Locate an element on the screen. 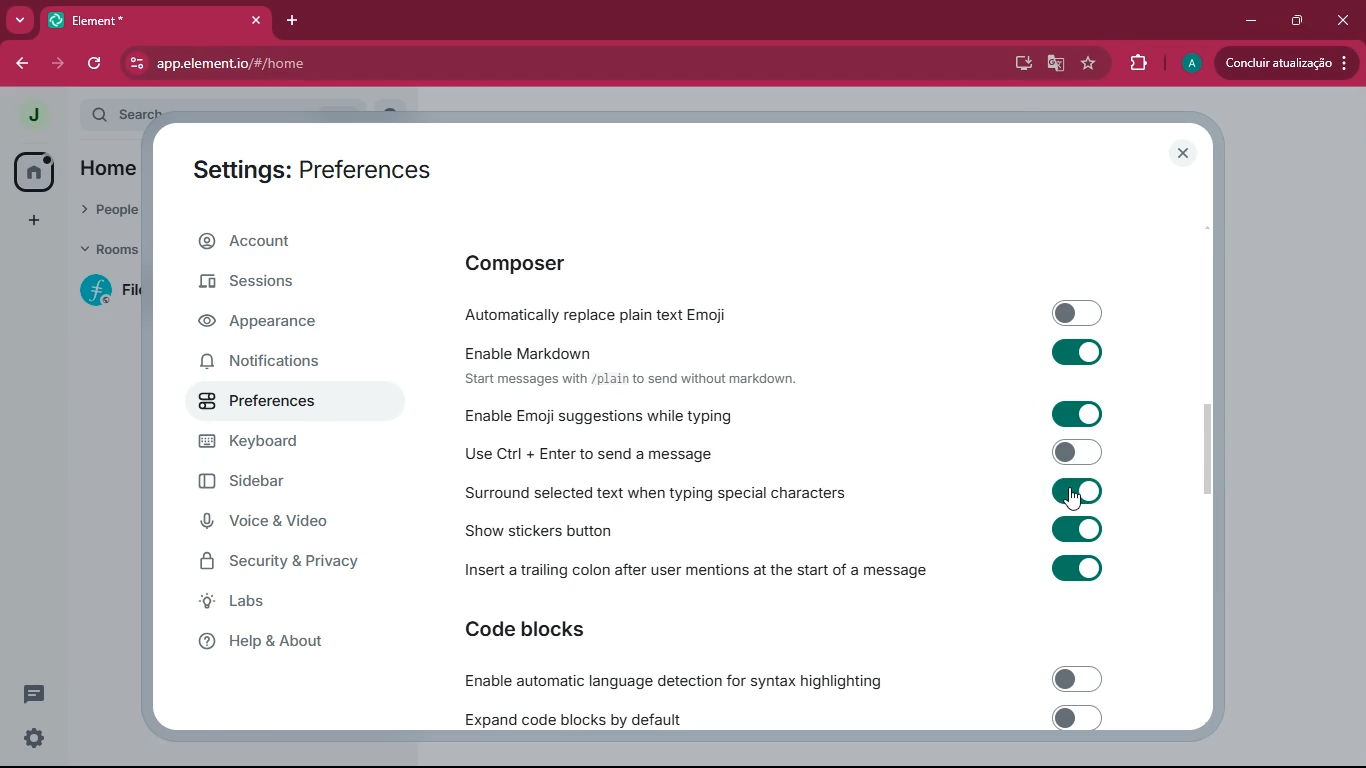 The width and height of the screenshot is (1366, 768). scroll bar is located at coordinates (1208, 445).